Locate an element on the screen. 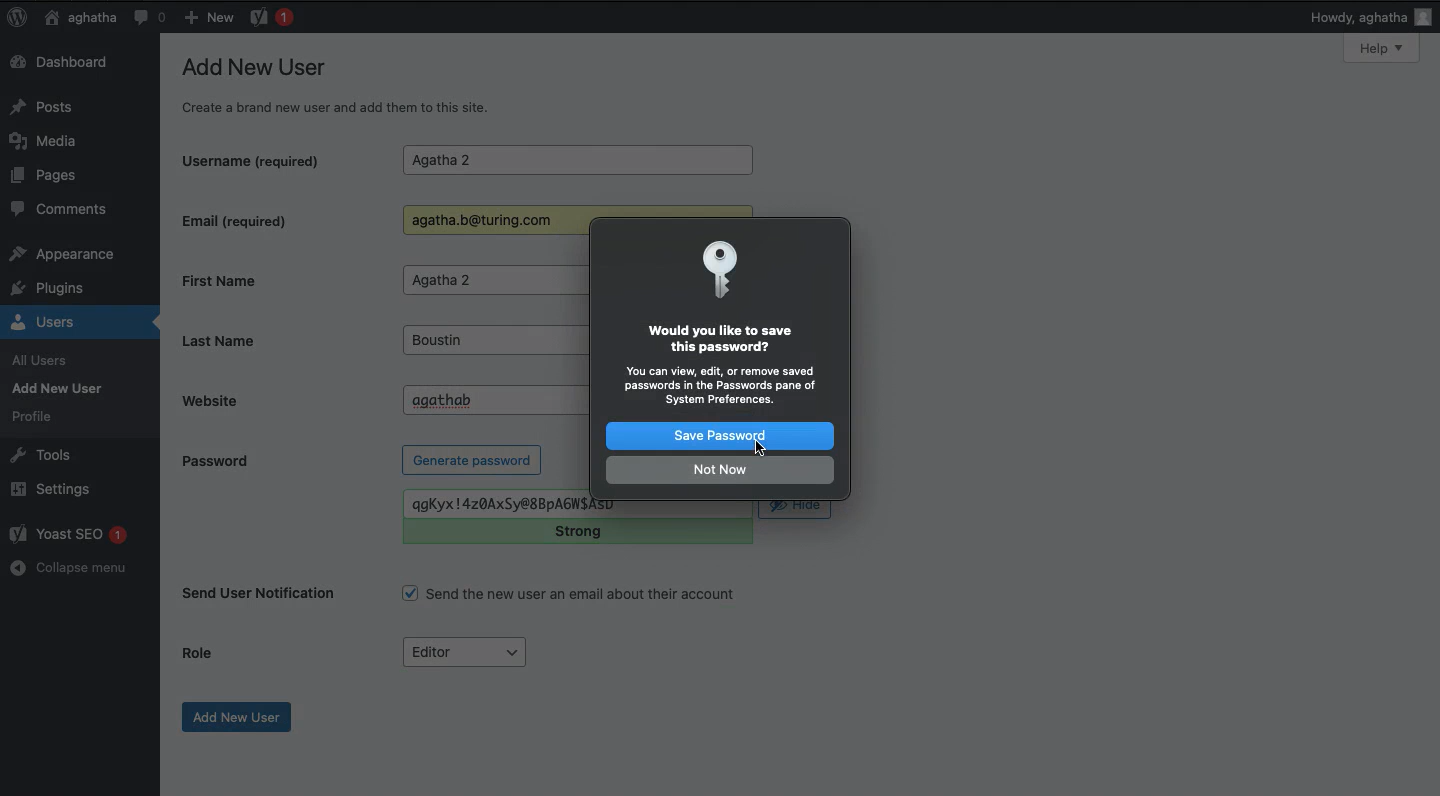 The image size is (1440, 796). Would you like to save this password? You can view, edit, or remove saved passwords in the Passwords pane of System Preferences. is located at coordinates (713, 367).